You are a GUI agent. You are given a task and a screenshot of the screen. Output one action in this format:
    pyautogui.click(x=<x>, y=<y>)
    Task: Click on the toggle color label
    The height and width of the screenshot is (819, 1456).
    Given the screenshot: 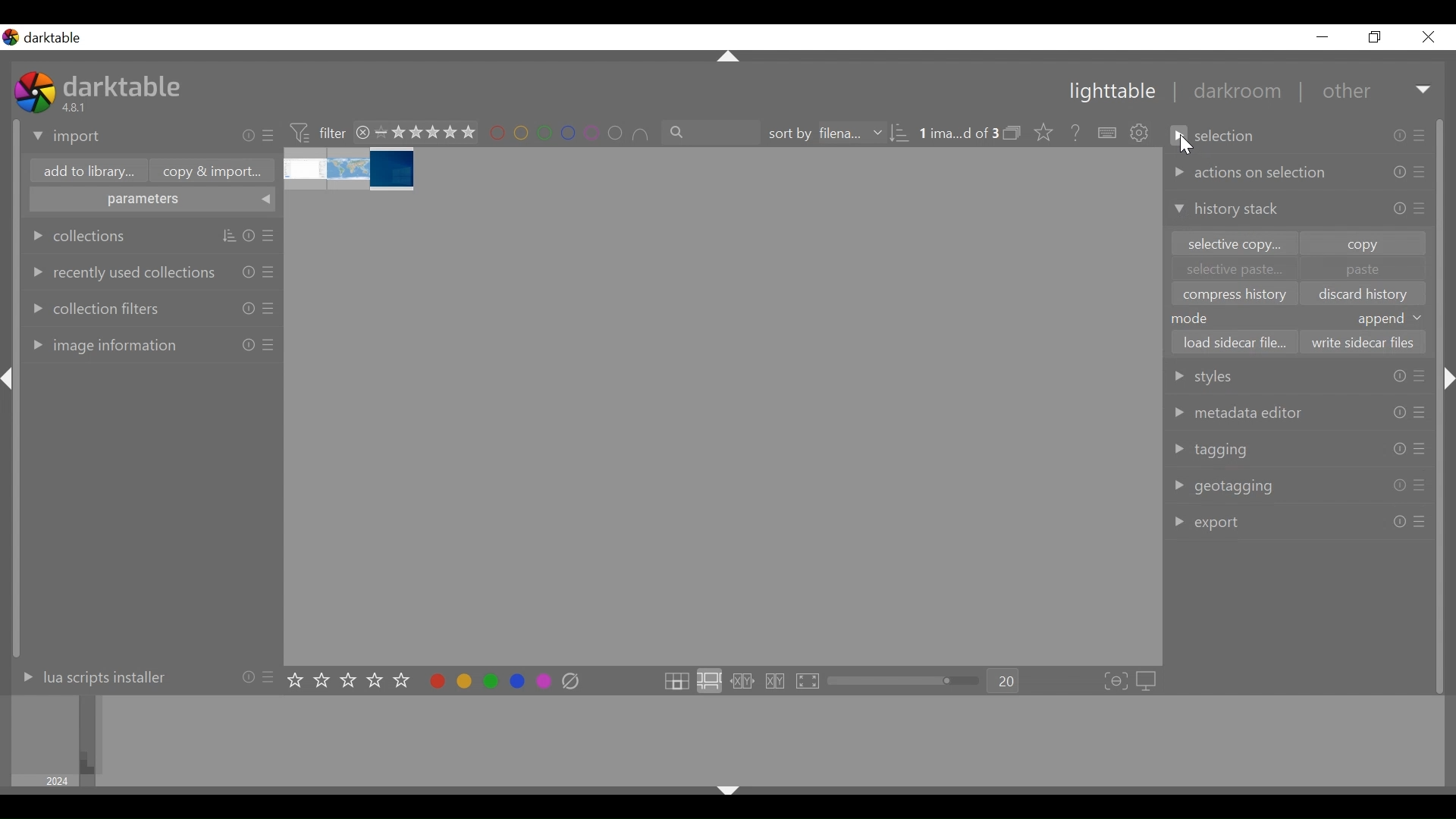 What is the action you would take?
    pyautogui.click(x=486, y=680)
    